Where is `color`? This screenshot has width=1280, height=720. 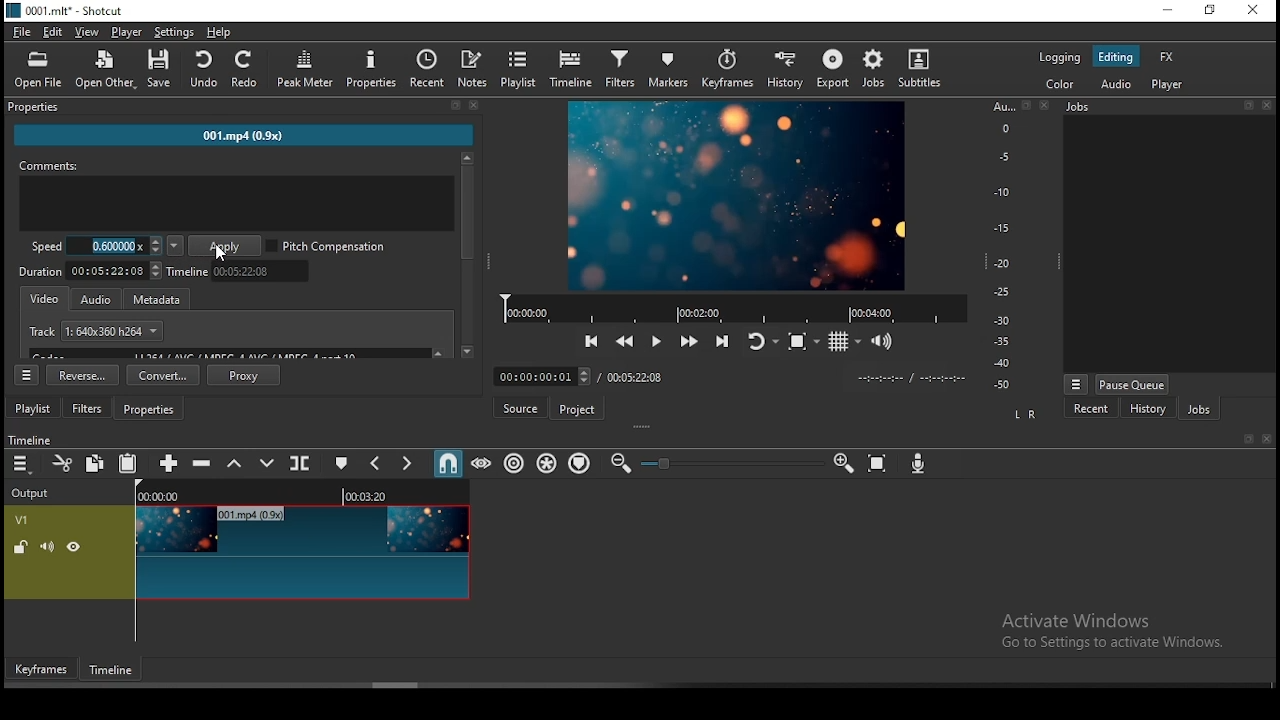
color is located at coordinates (1061, 83).